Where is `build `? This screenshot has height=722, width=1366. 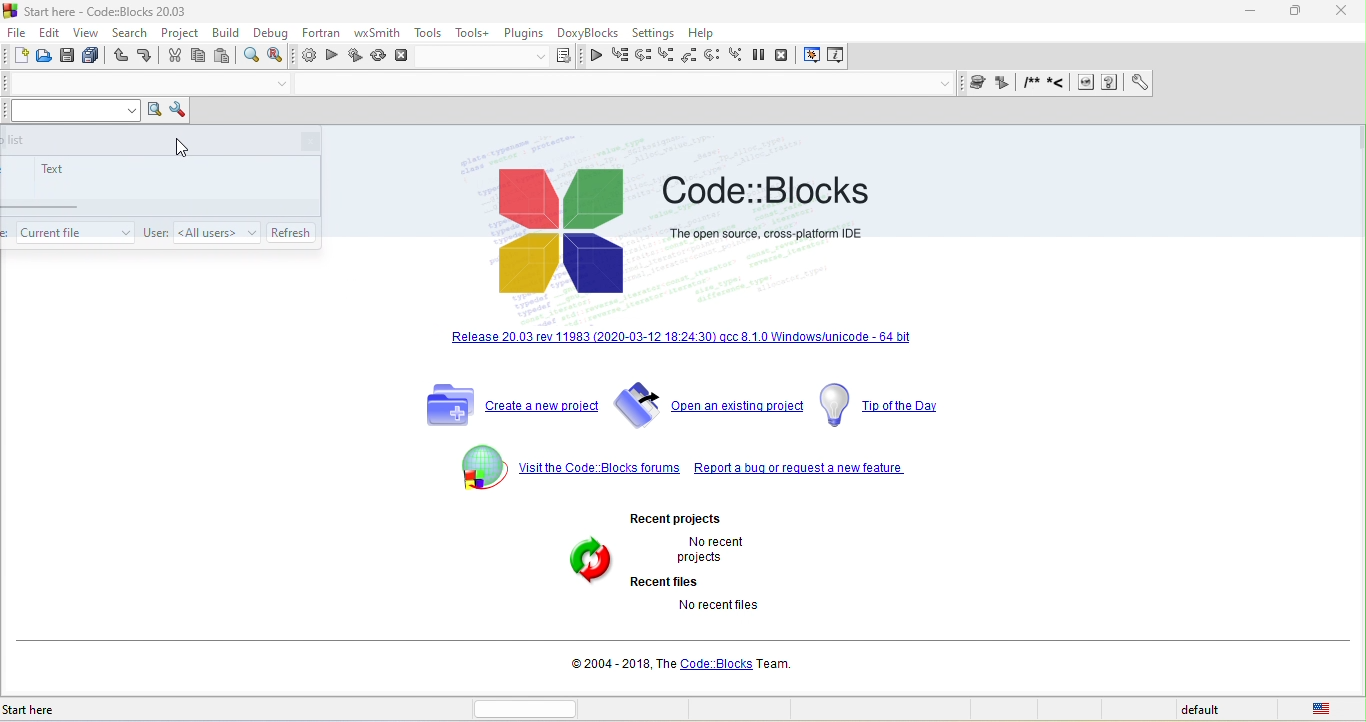
build  is located at coordinates (307, 58).